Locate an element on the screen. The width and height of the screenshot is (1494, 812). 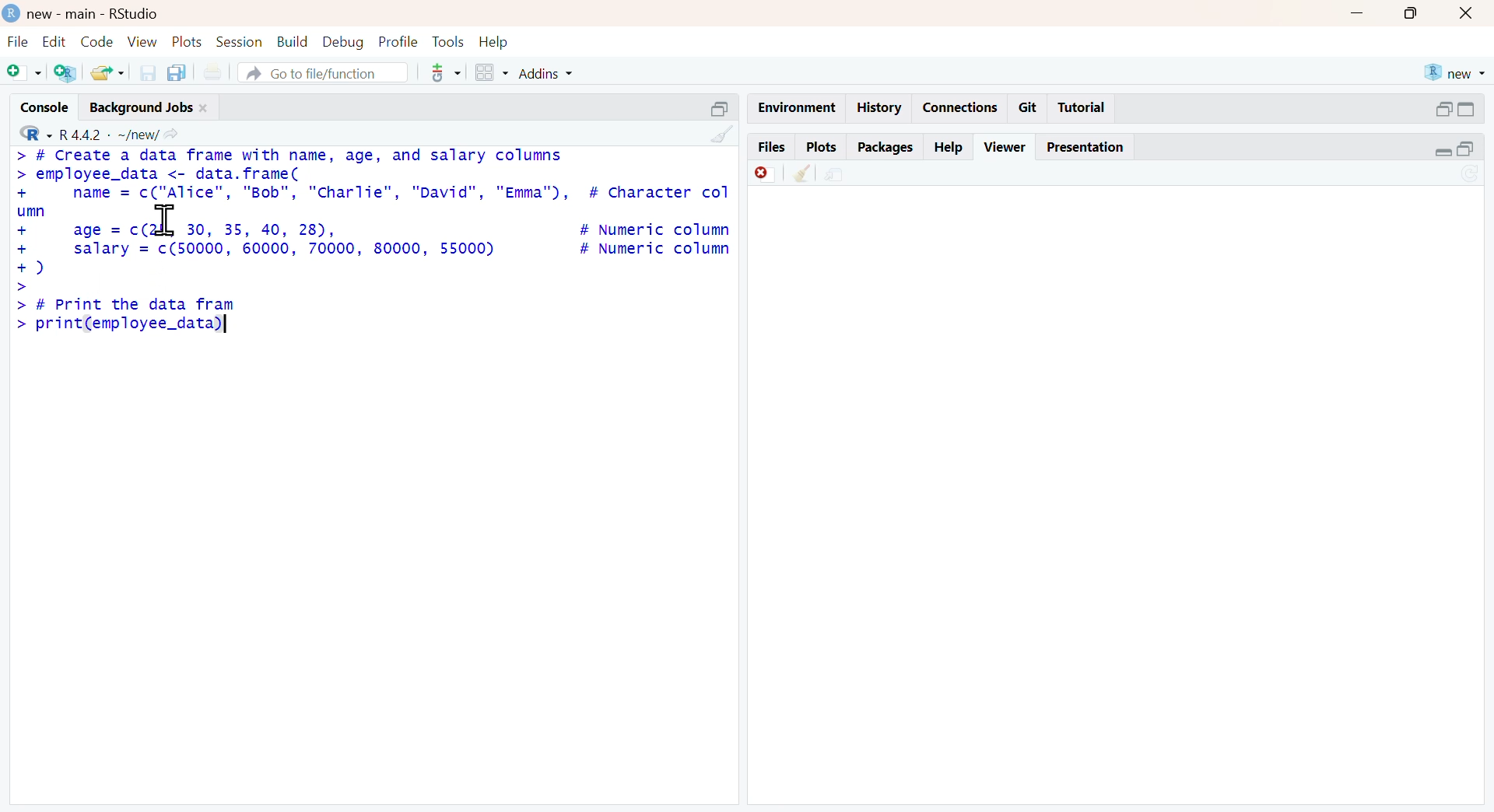
Connections is located at coordinates (963, 105).